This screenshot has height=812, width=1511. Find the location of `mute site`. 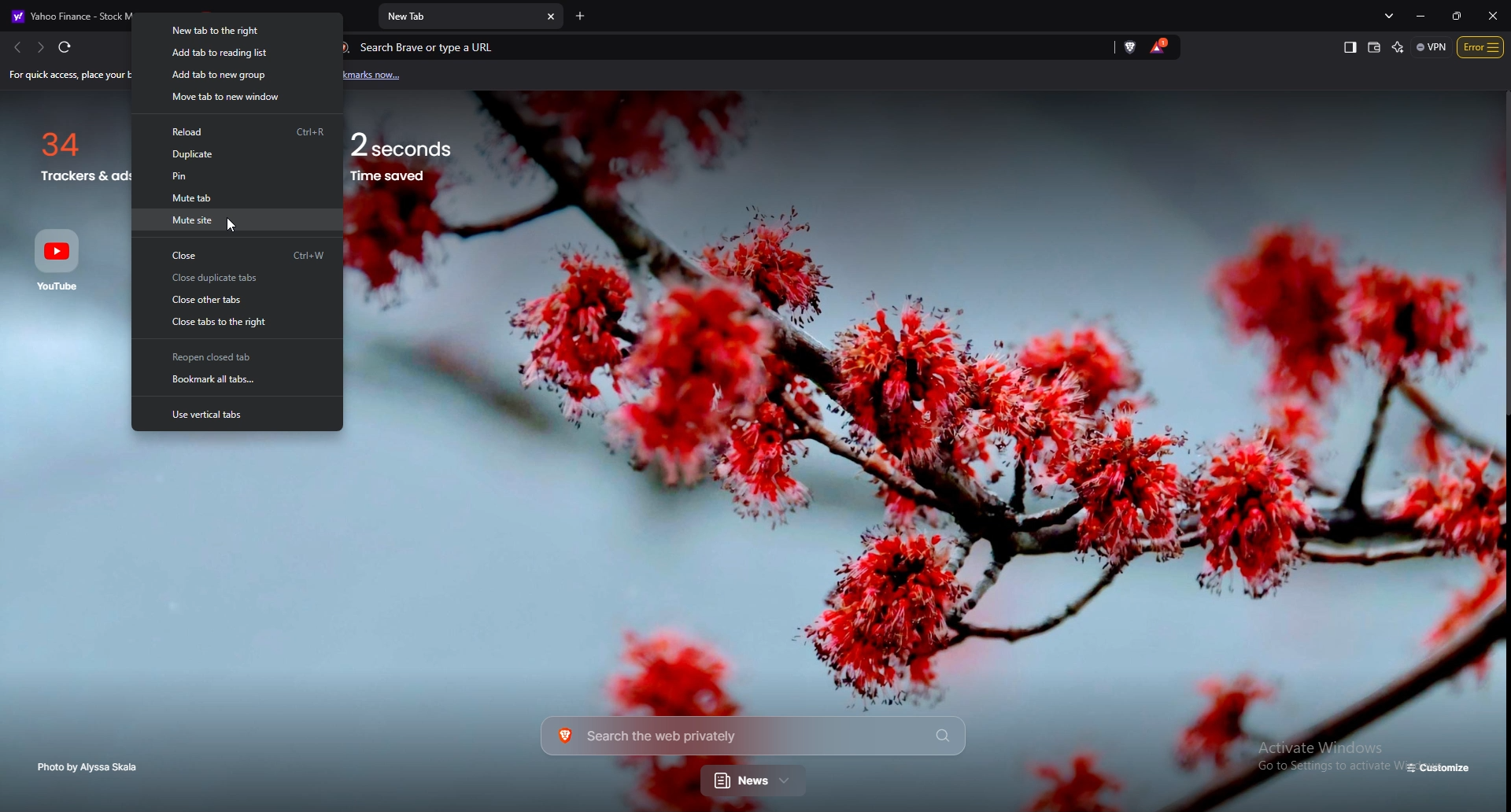

mute site is located at coordinates (235, 220).